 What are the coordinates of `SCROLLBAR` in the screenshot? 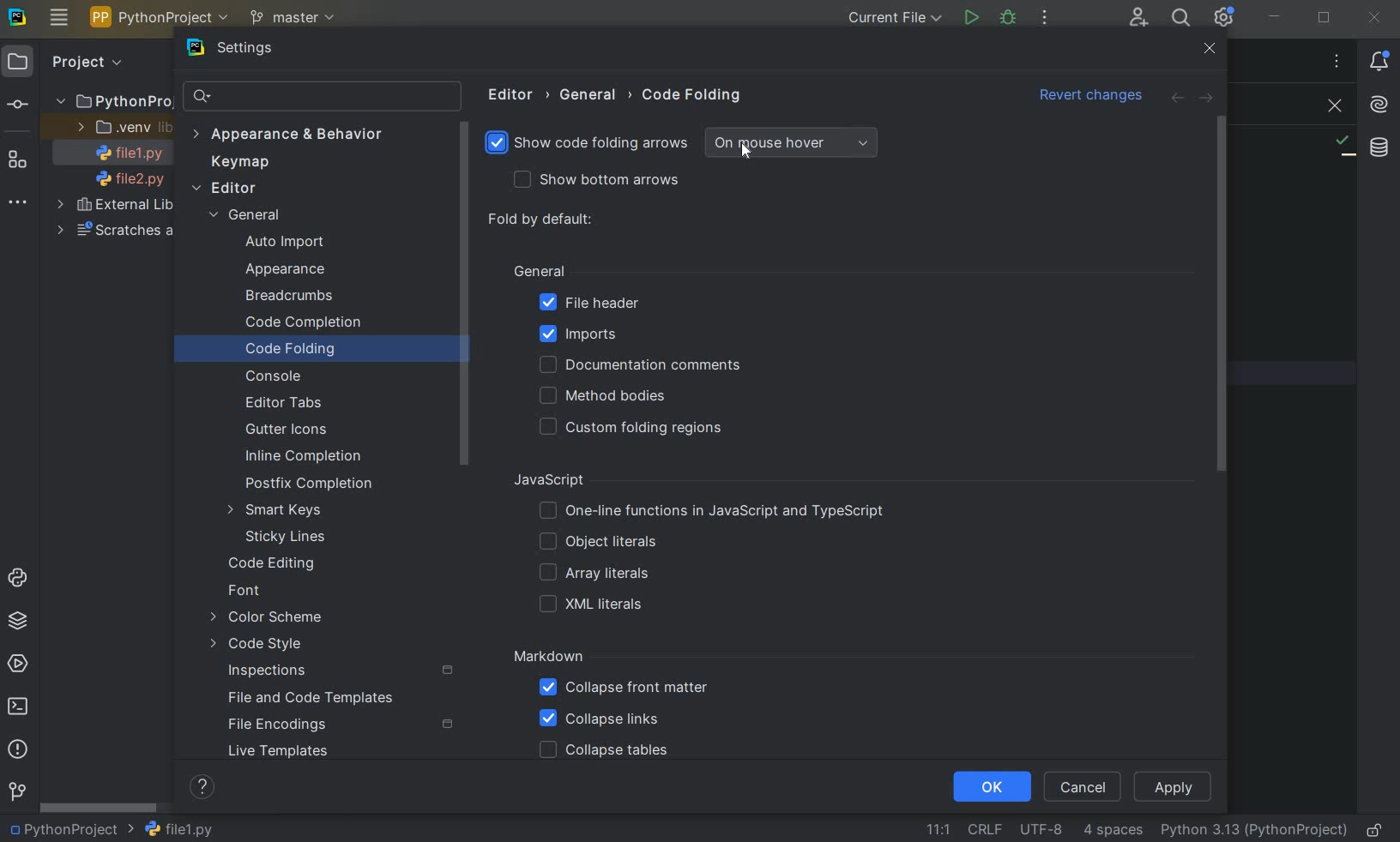 It's located at (1228, 295).